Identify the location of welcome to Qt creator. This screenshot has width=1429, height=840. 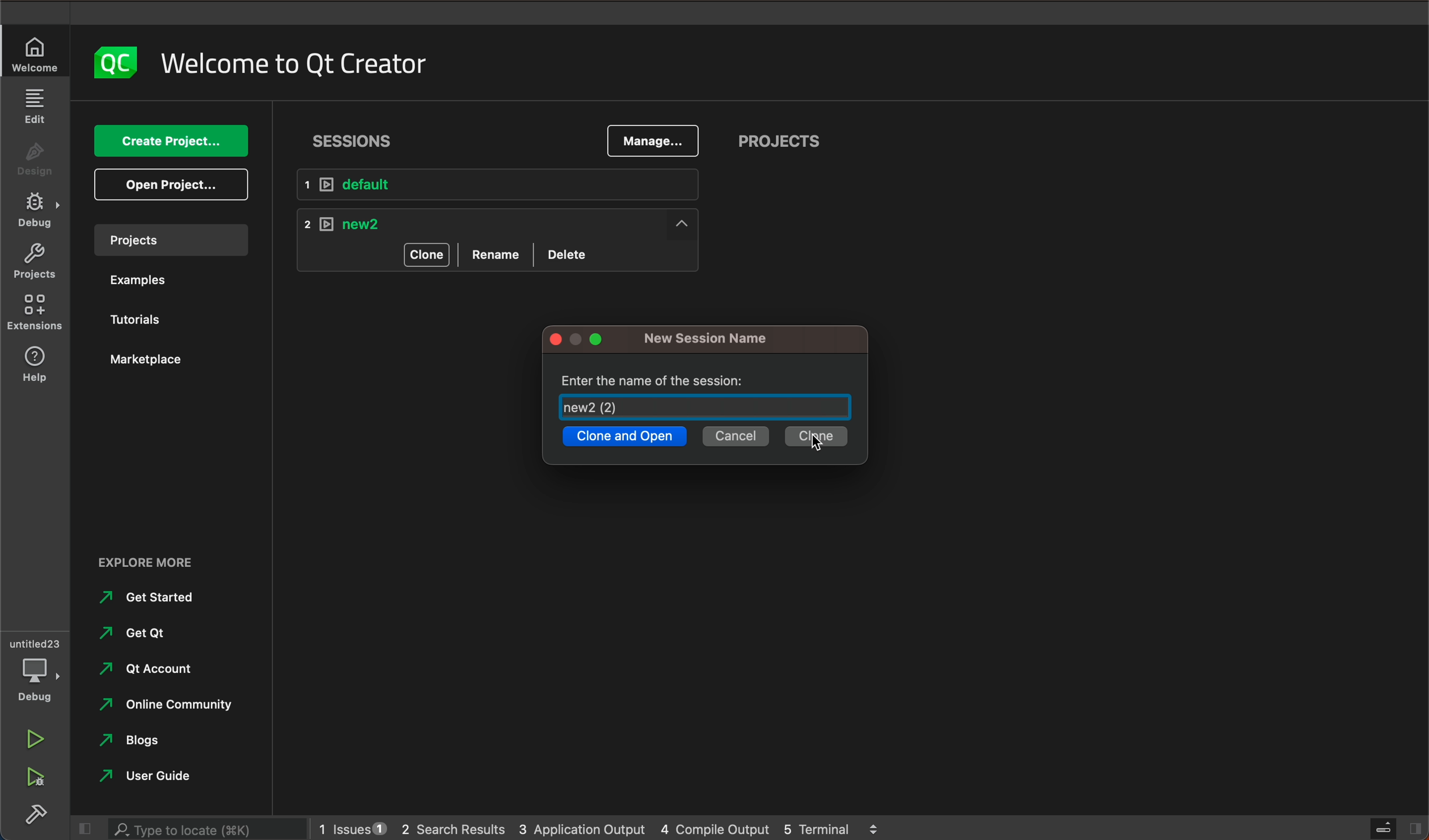
(314, 60).